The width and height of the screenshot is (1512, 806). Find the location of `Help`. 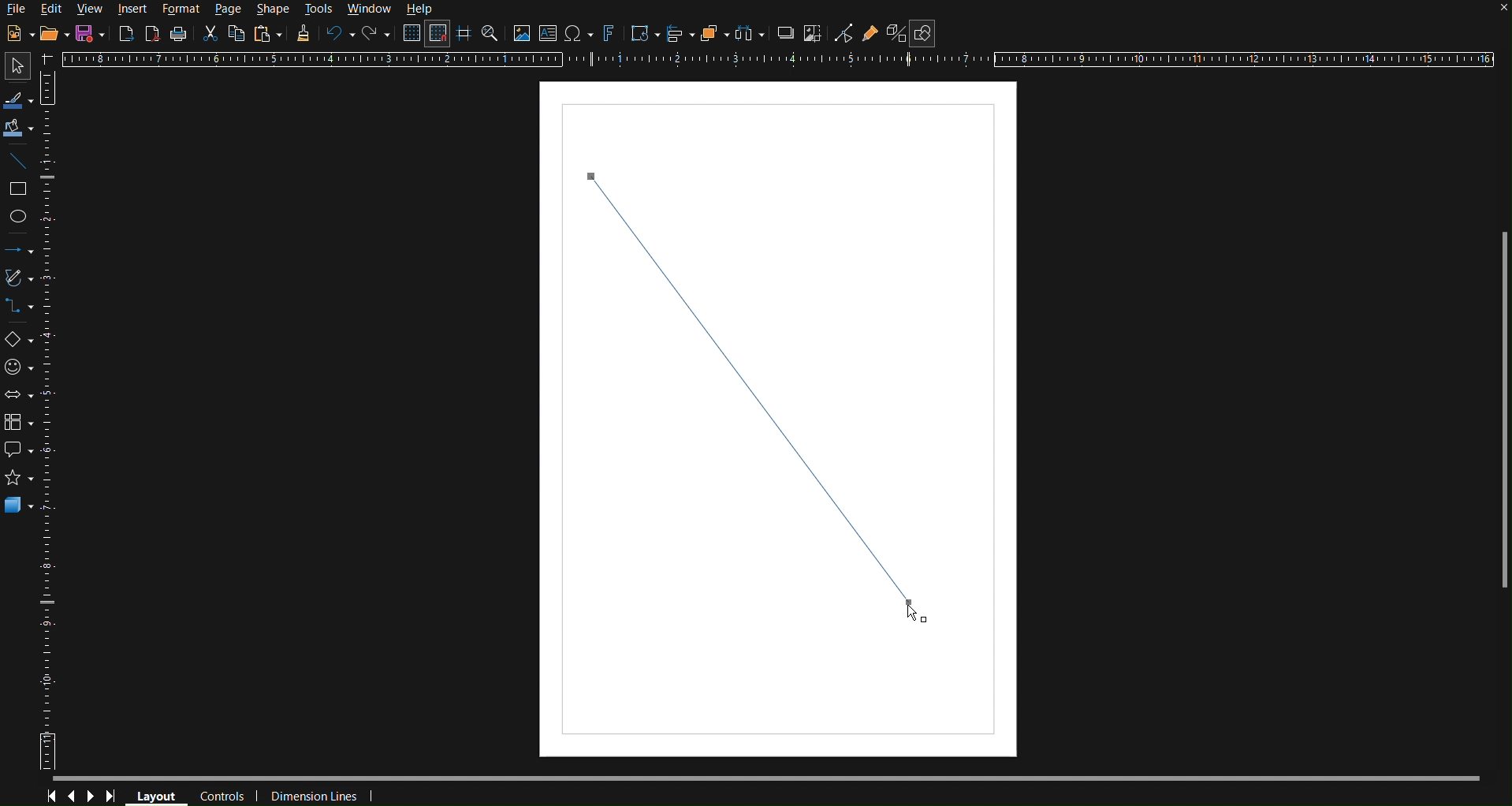

Help is located at coordinates (418, 9).